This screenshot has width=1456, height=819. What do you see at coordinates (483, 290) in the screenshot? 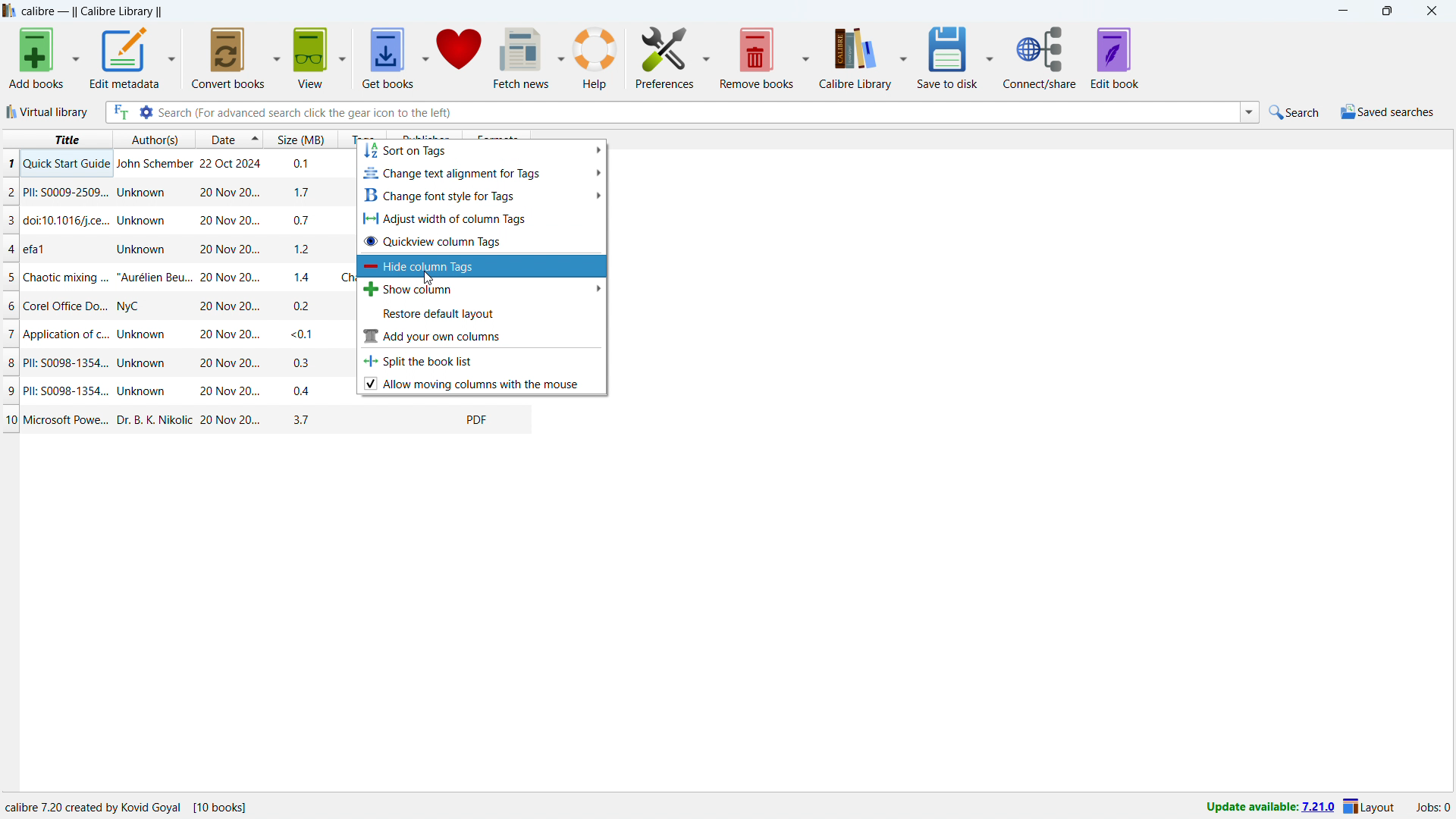
I see `show column` at bounding box center [483, 290].